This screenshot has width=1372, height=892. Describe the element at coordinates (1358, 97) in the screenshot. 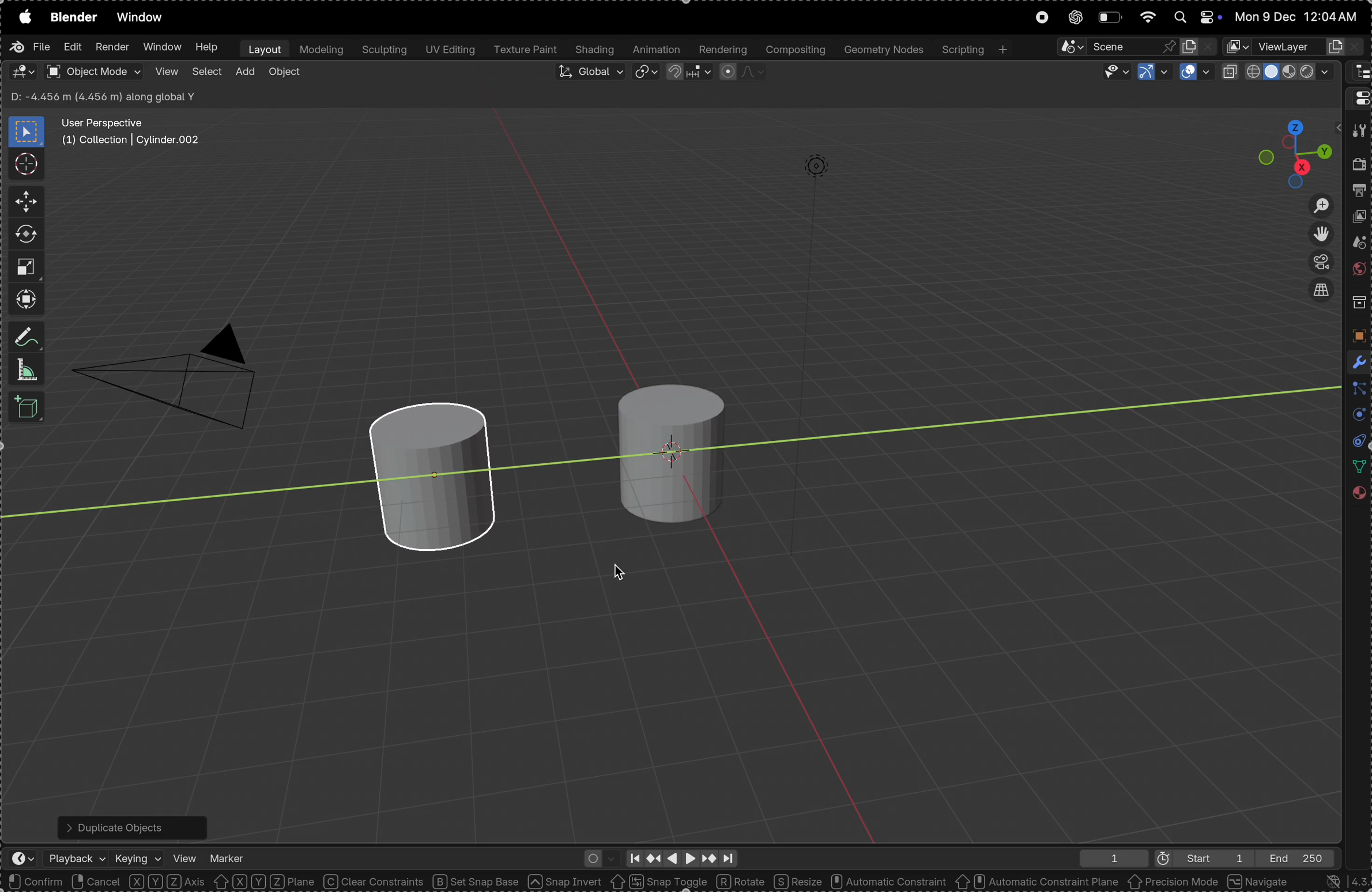

I see `editor type` at that location.